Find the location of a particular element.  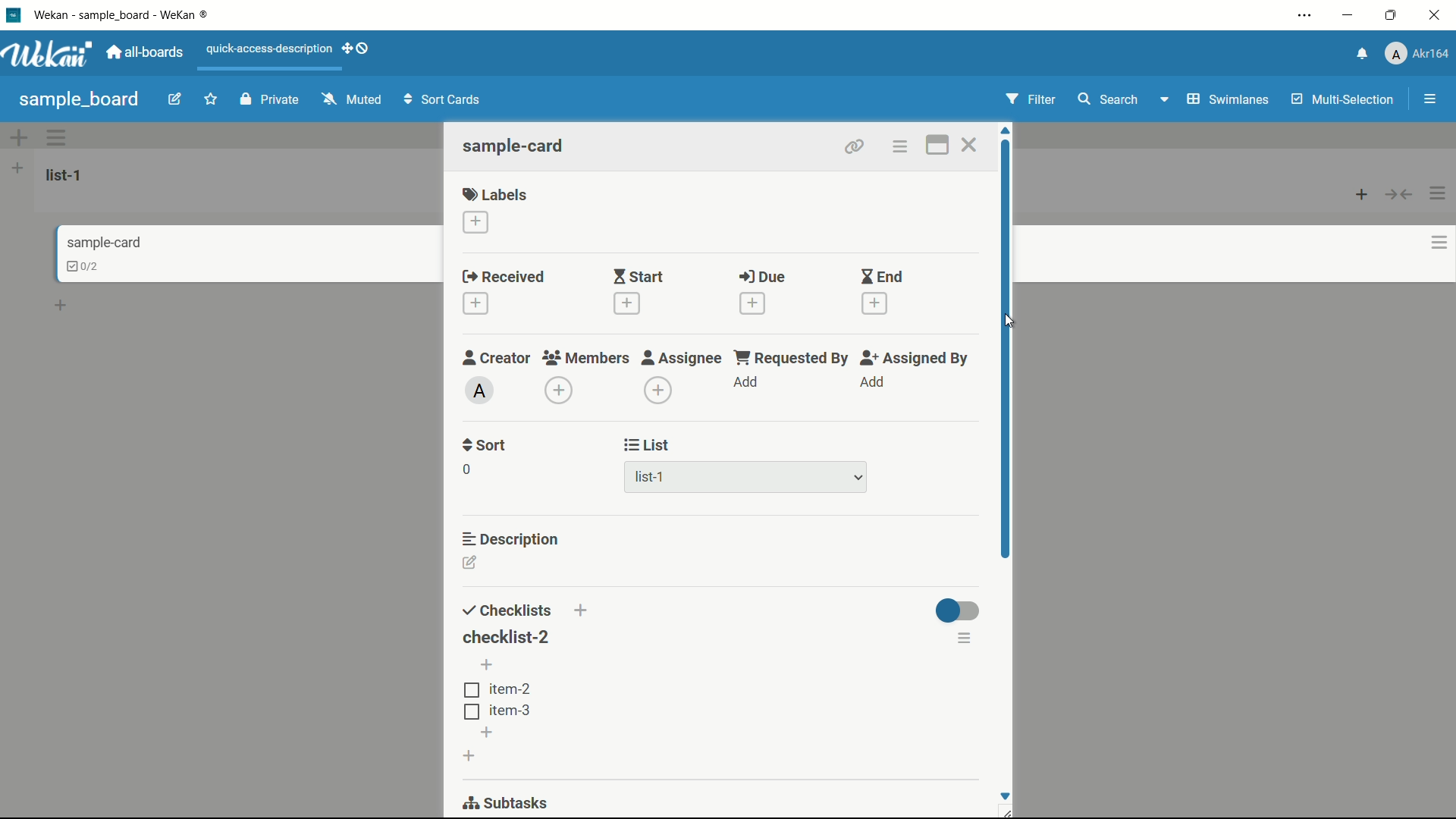

list actions is located at coordinates (1439, 193).